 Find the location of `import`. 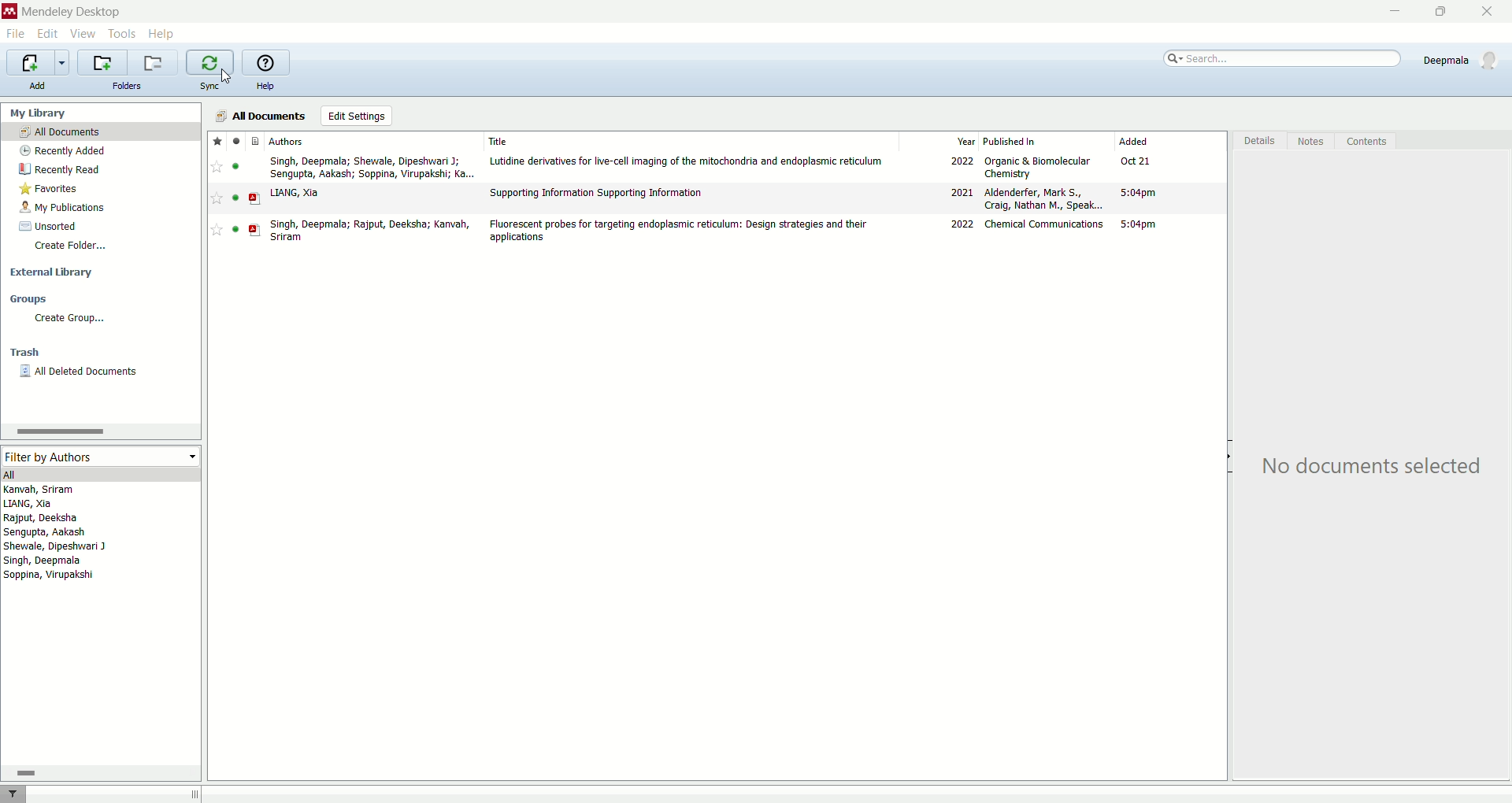

import is located at coordinates (38, 63).